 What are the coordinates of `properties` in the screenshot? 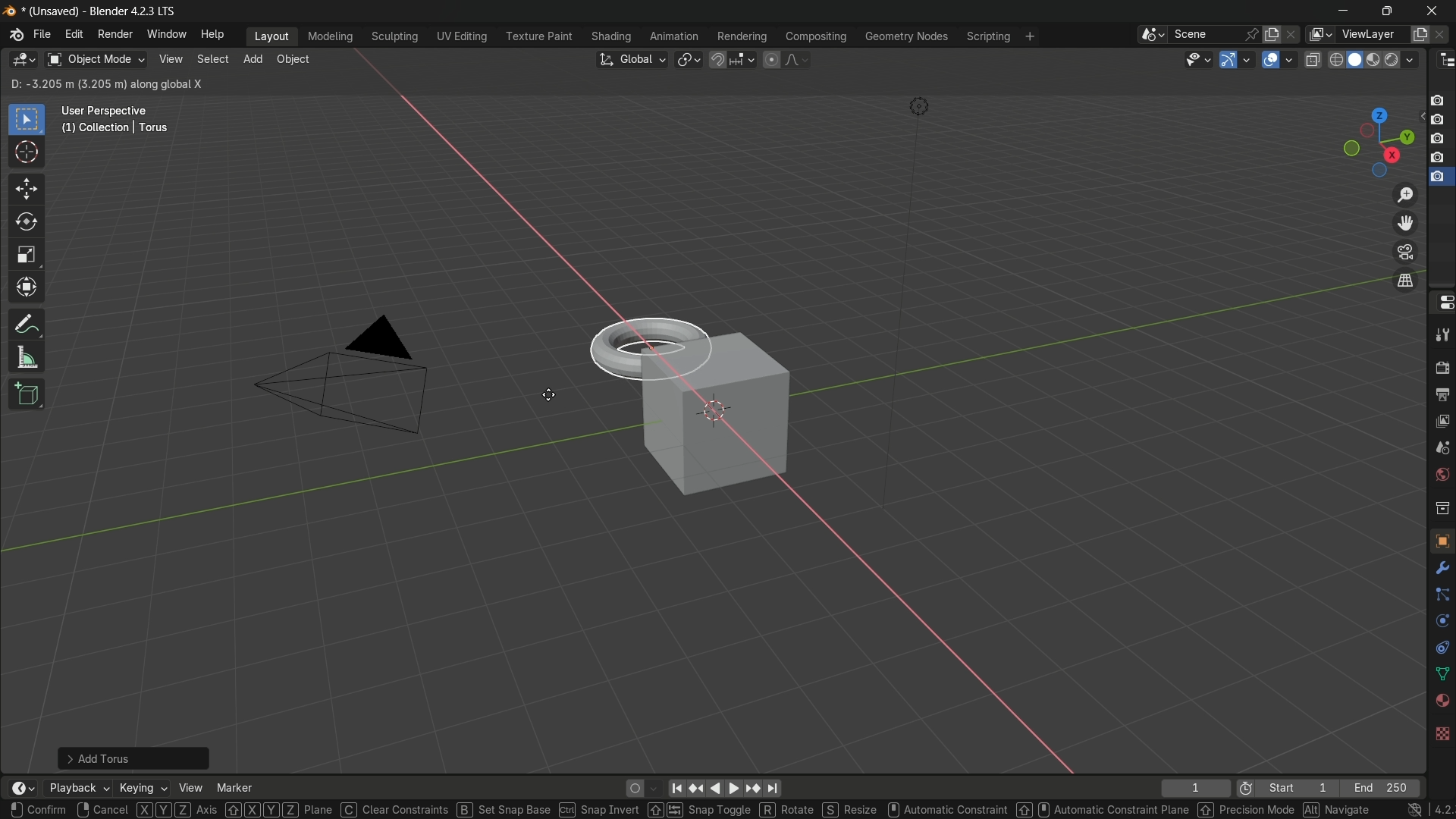 It's located at (1442, 302).